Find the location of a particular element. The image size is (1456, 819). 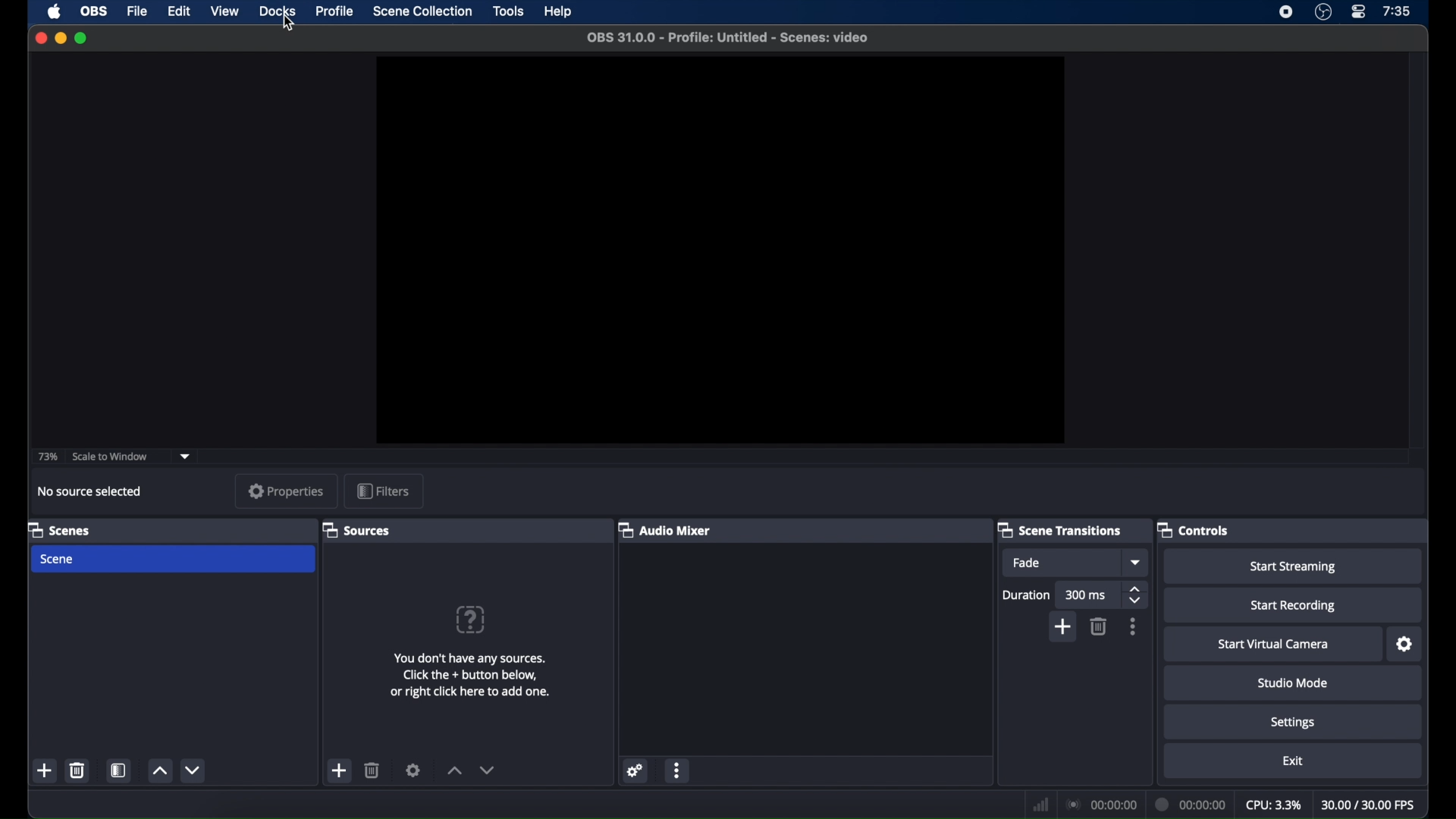

properties is located at coordinates (286, 491).